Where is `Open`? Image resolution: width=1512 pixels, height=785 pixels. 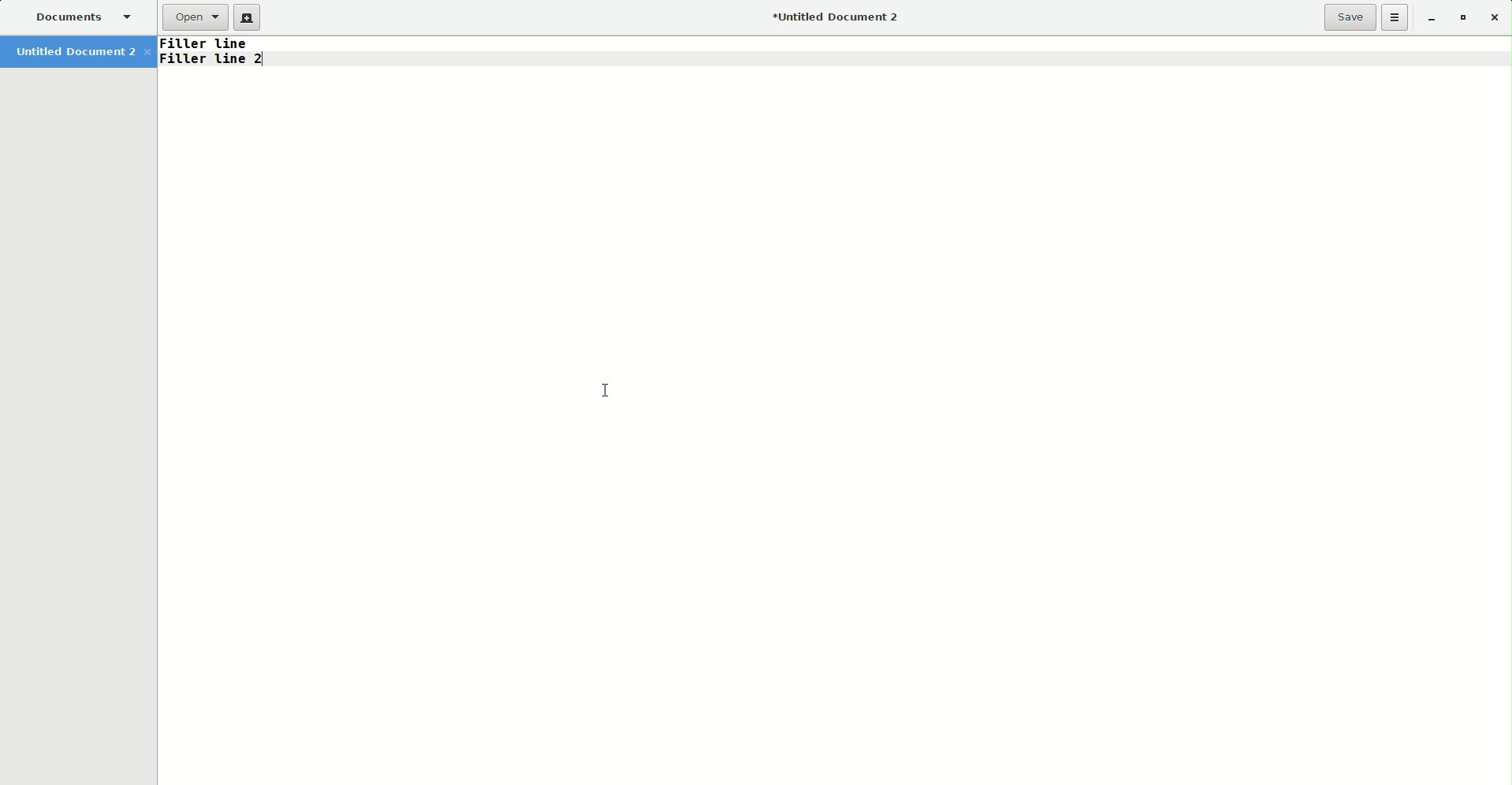 Open is located at coordinates (193, 17).